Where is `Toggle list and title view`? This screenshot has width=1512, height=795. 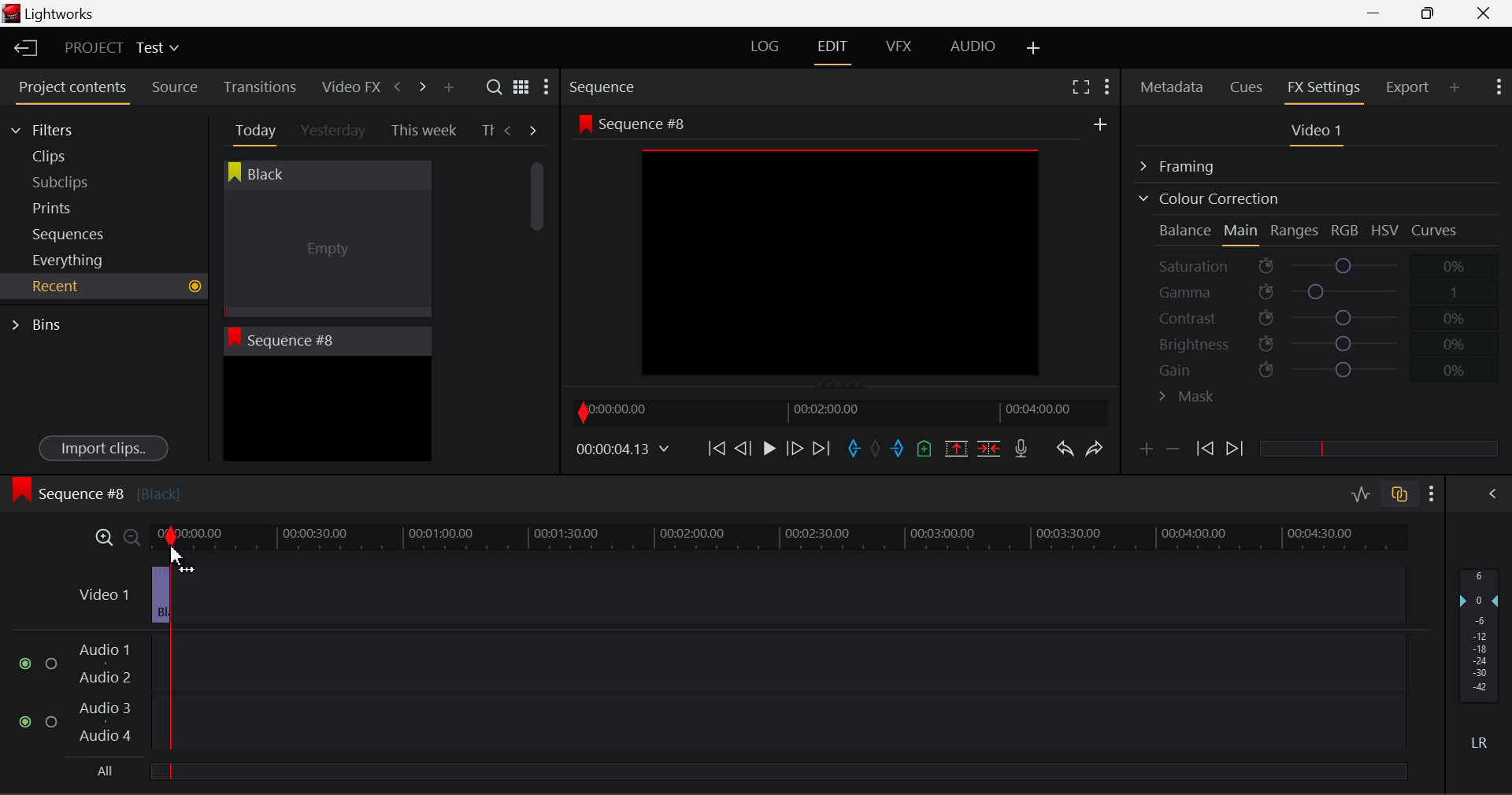
Toggle list and title view is located at coordinates (521, 87).